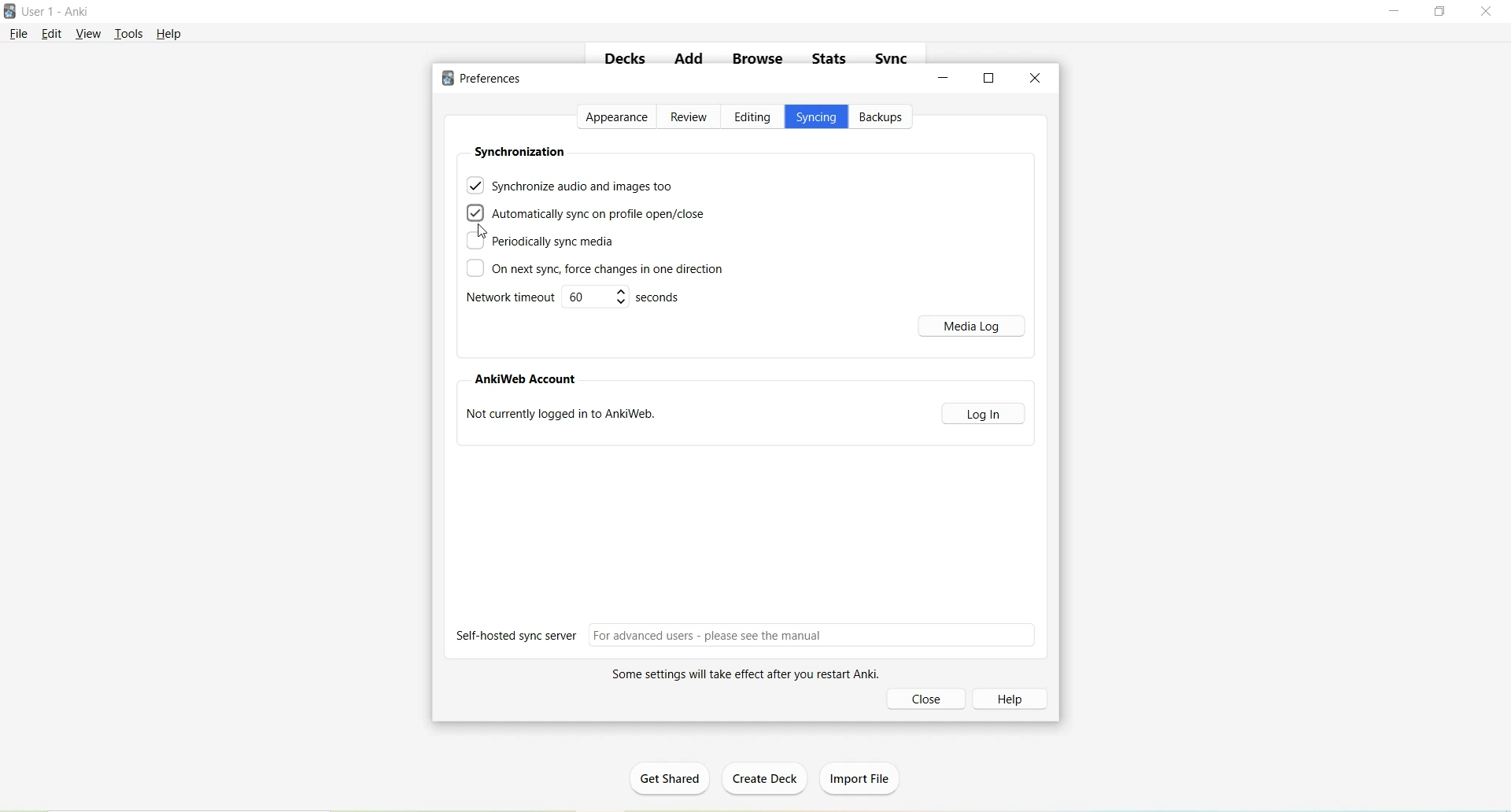 The image size is (1511, 812). What do you see at coordinates (626, 61) in the screenshot?
I see `Decks` at bounding box center [626, 61].